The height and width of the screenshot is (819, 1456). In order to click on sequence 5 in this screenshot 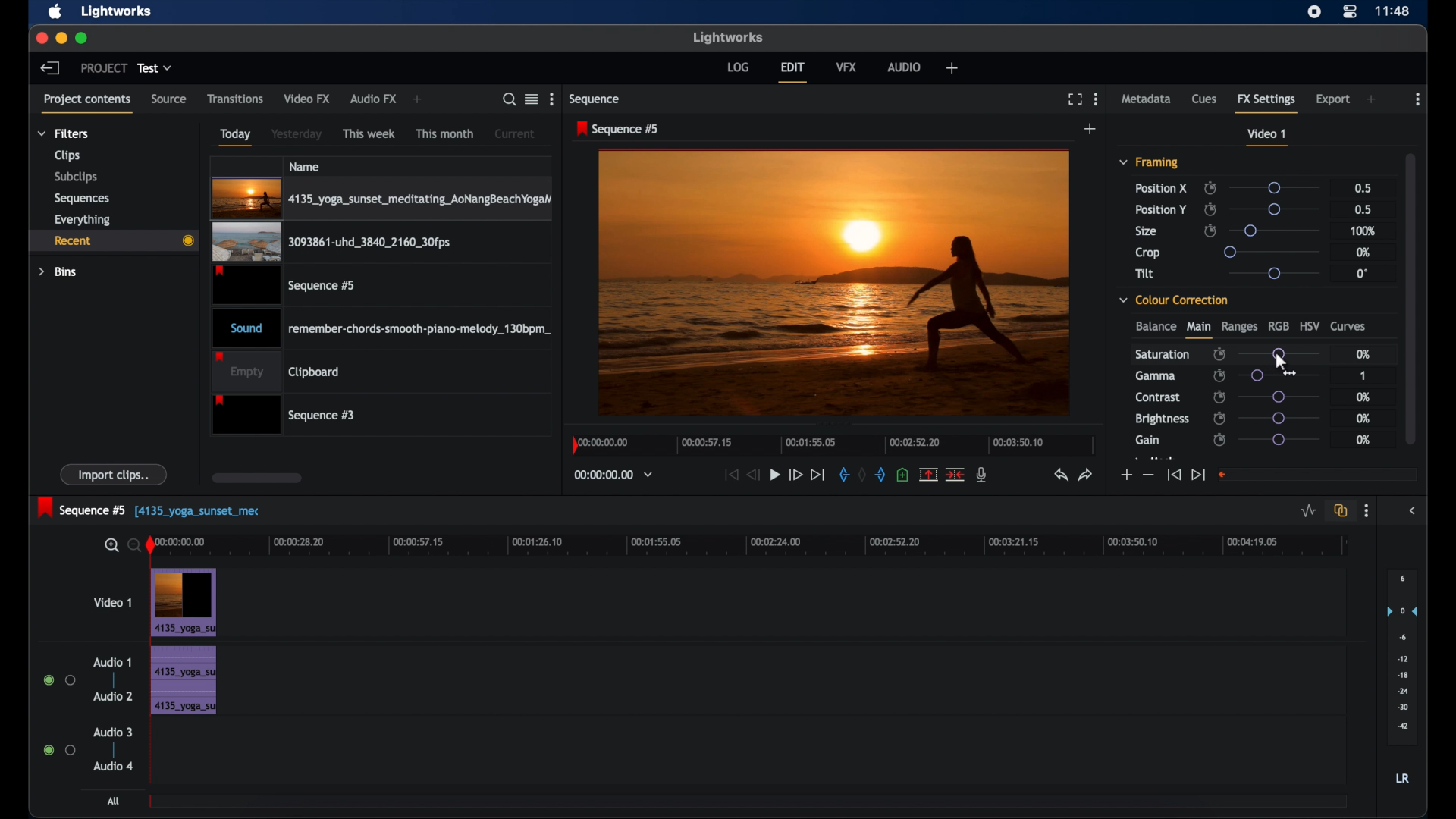, I will do `click(618, 130)`.